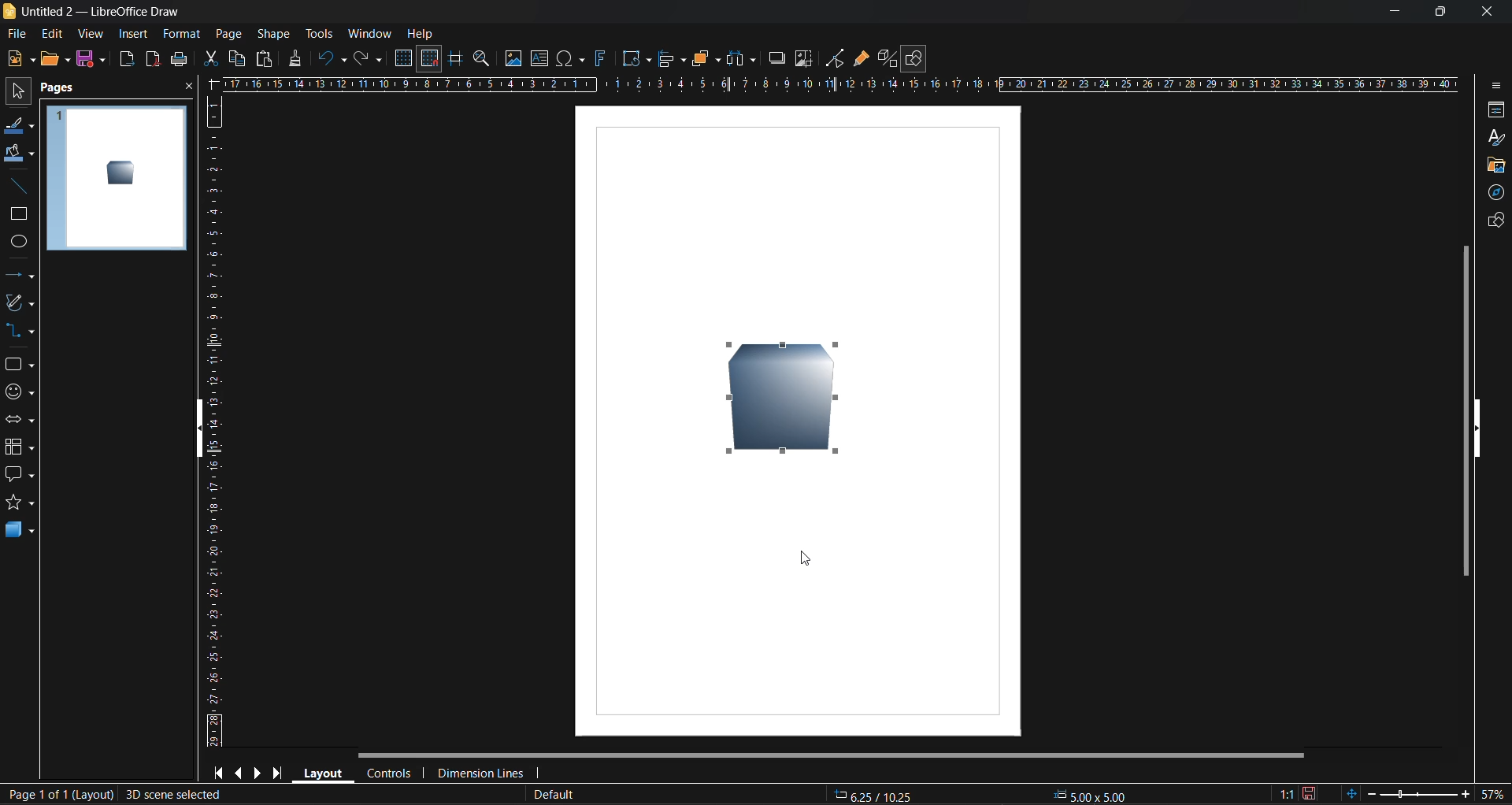  Describe the element at coordinates (235, 58) in the screenshot. I see `copy` at that location.